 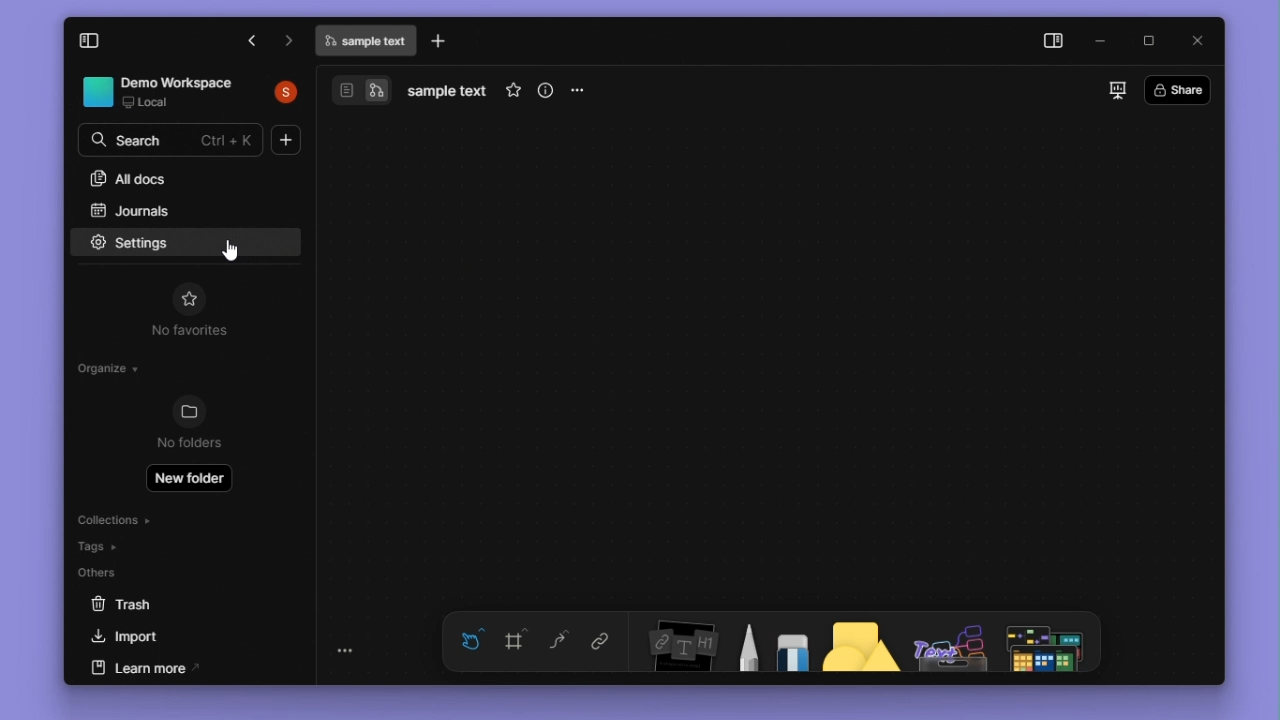 What do you see at coordinates (159, 575) in the screenshot?
I see `others` at bounding box center [159, 575].